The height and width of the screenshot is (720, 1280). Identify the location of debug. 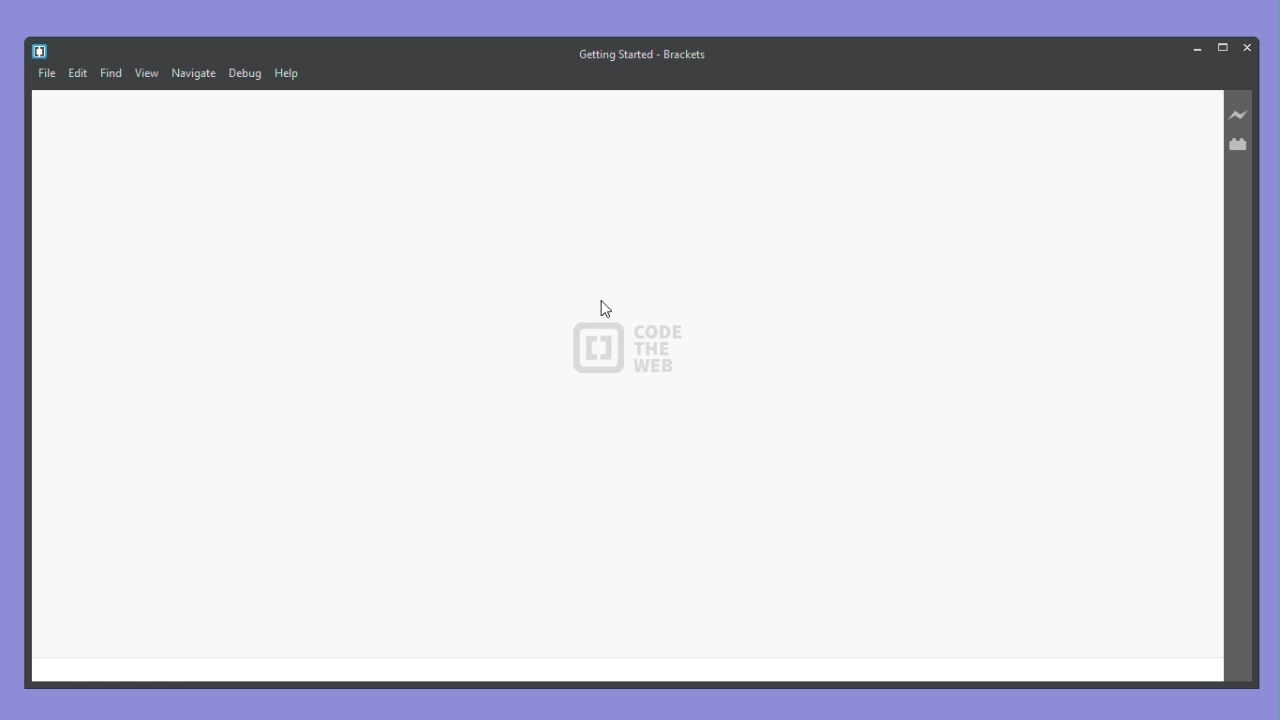
(245, 74).